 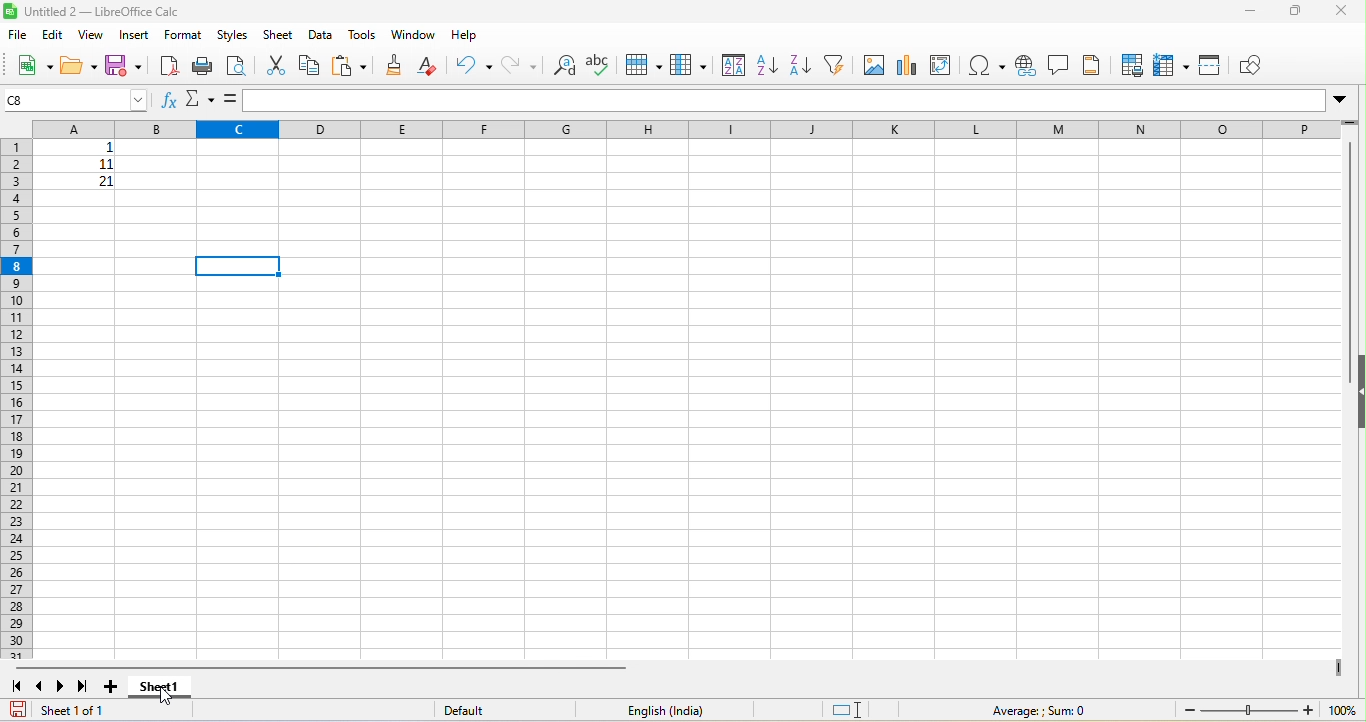 What do you see at coordinates (1256, 67) in the screenshot?
I see `show draw function` at bounding box center [1256, 67].